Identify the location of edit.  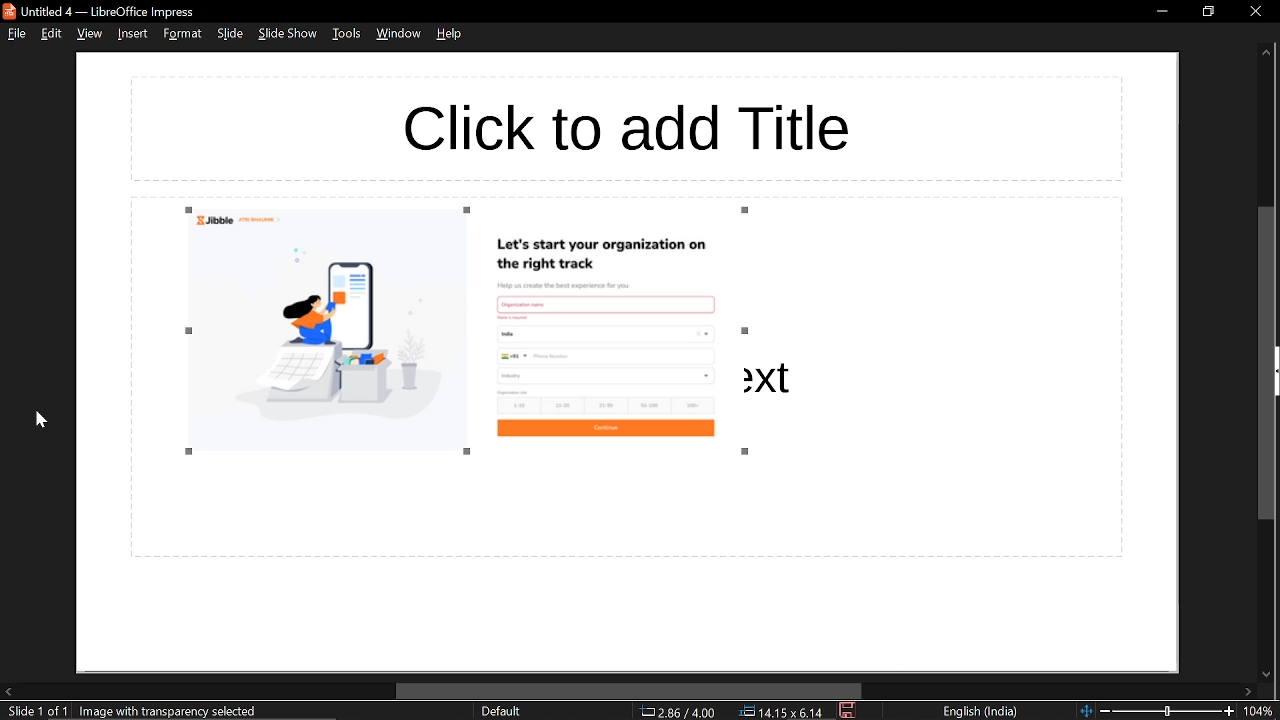
(53, 33).